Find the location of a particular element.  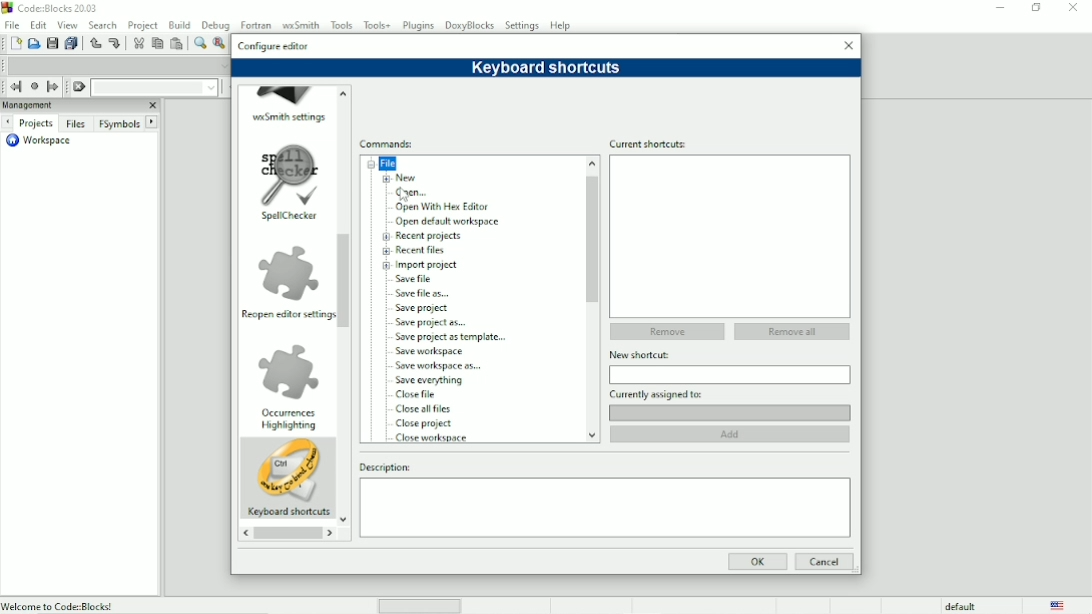

Open is located at coordinates (33, 43).